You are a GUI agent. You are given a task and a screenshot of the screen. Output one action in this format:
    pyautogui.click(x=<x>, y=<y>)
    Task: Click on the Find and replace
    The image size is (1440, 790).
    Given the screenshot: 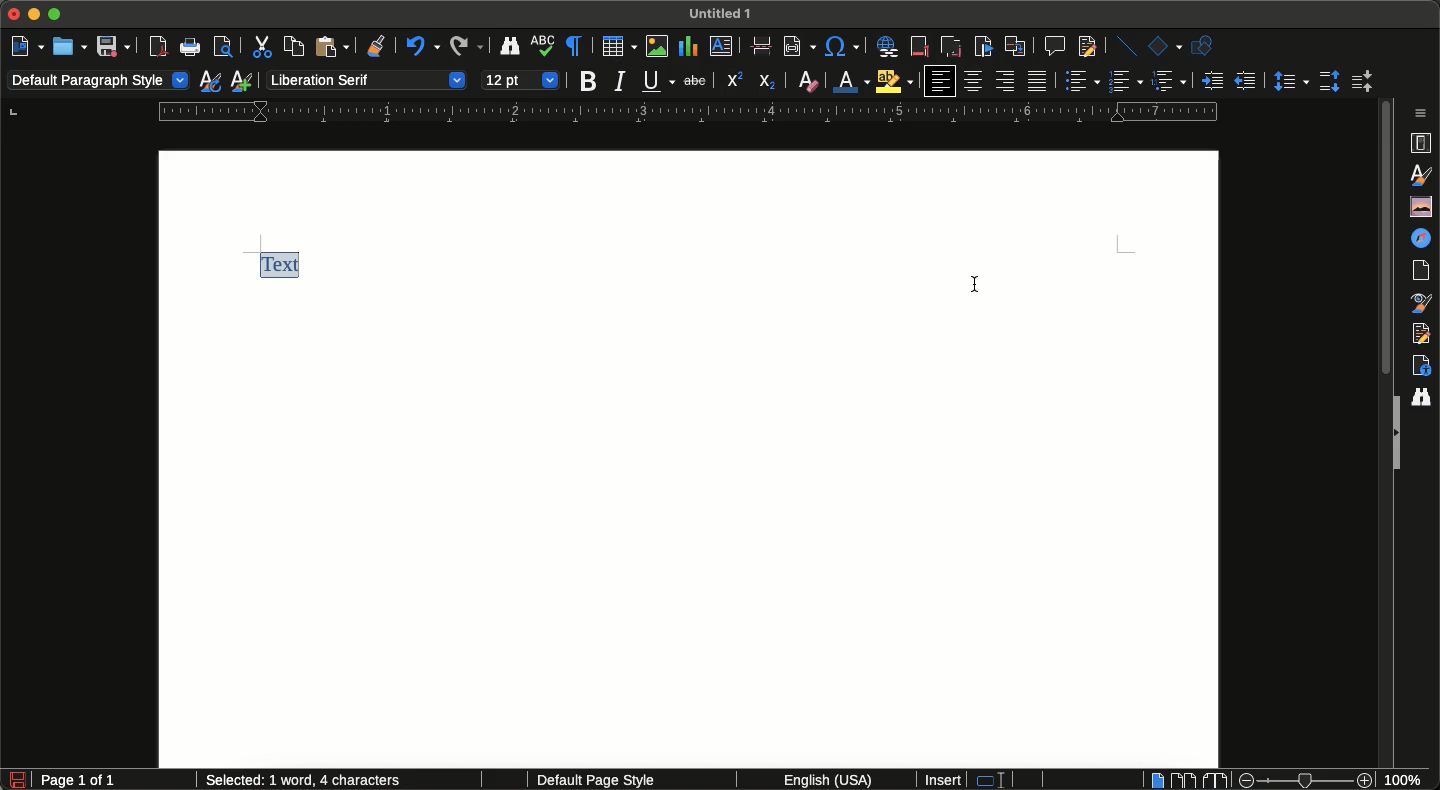 What is the action you would take?
    pyautogui.click(x=510, y=49)
    